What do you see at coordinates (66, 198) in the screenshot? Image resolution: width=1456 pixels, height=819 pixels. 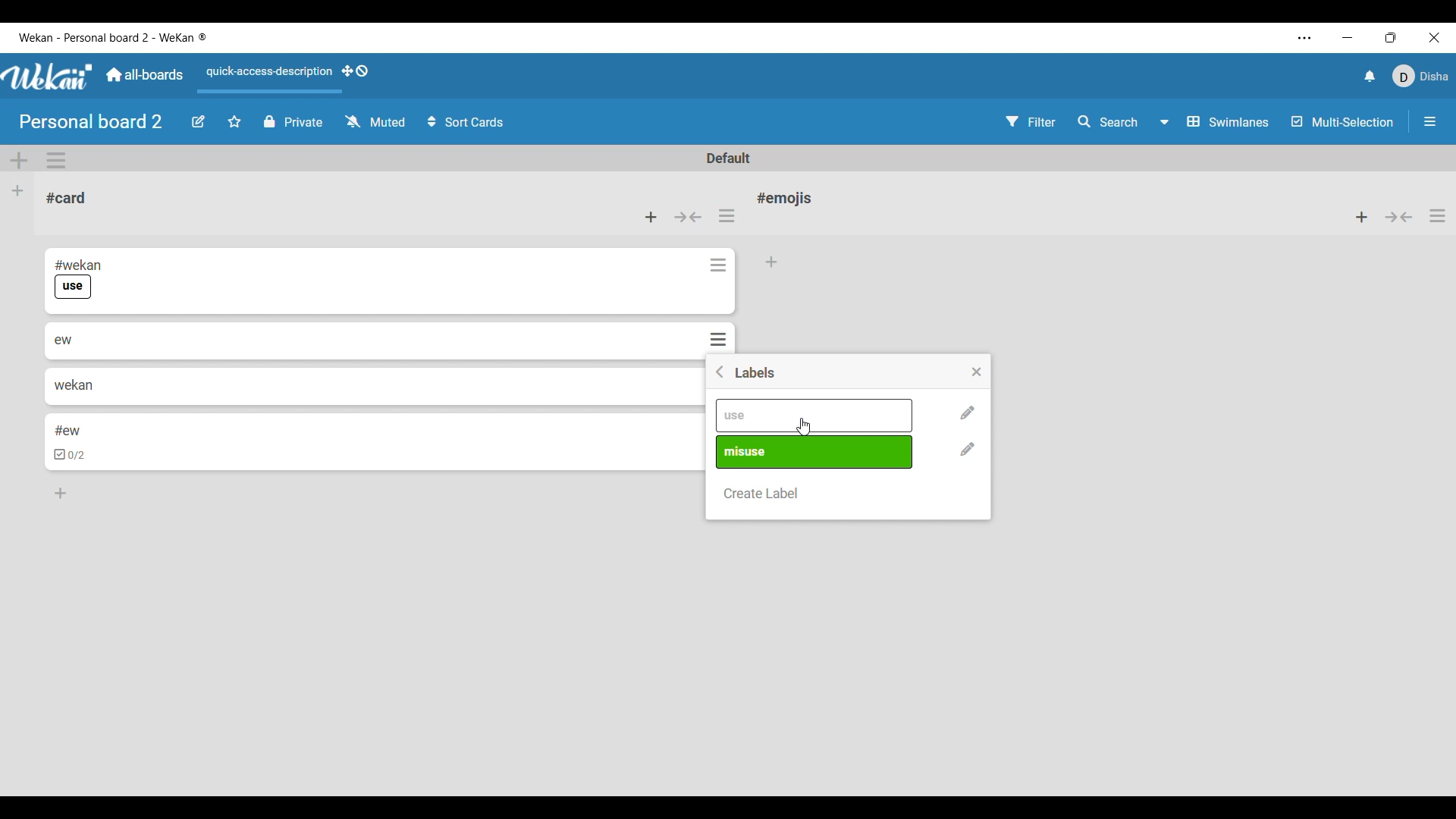 I see `Card name` at bounding box center [66, 198].